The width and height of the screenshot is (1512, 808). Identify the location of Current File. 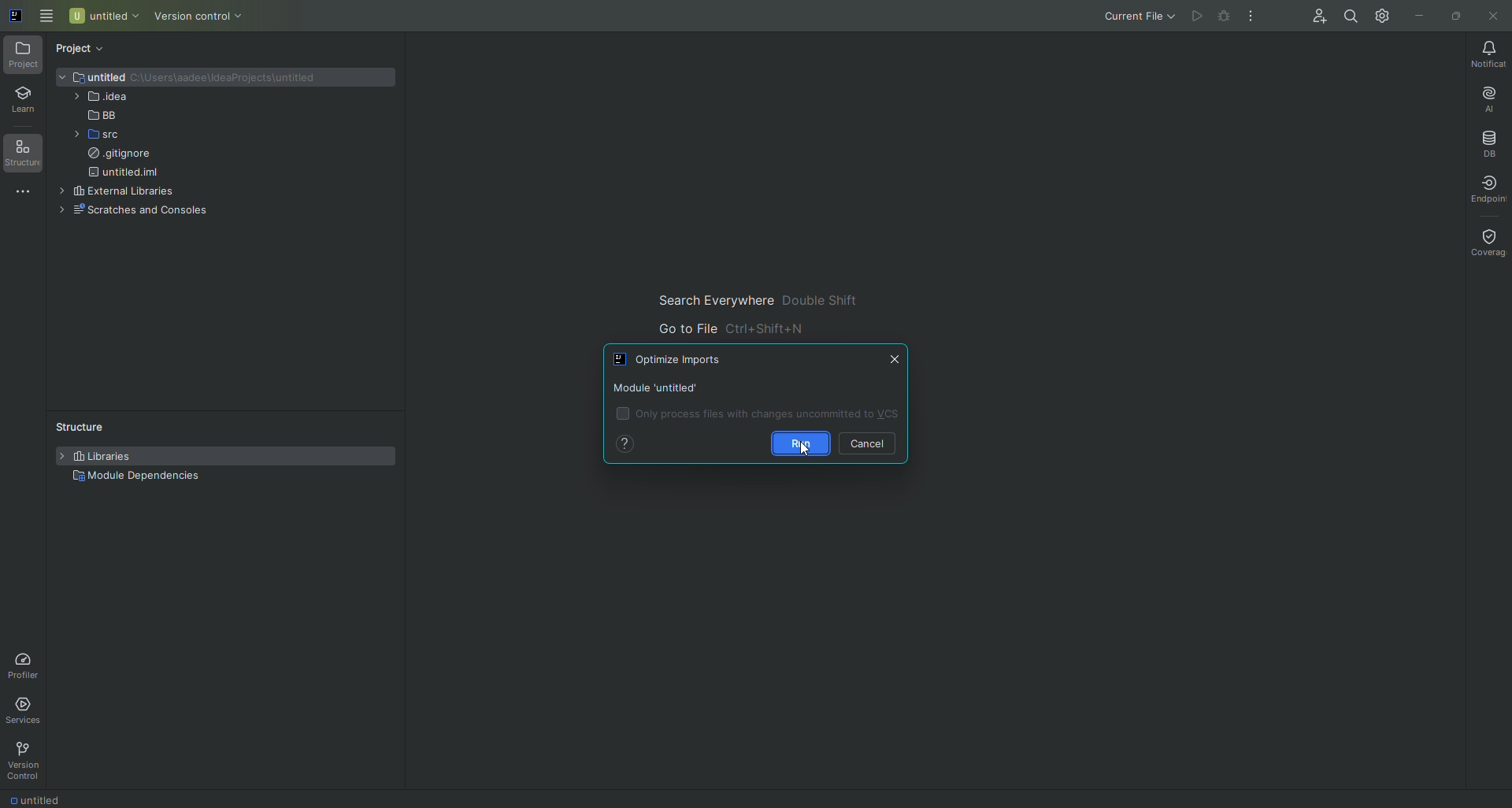
(1135, 15).